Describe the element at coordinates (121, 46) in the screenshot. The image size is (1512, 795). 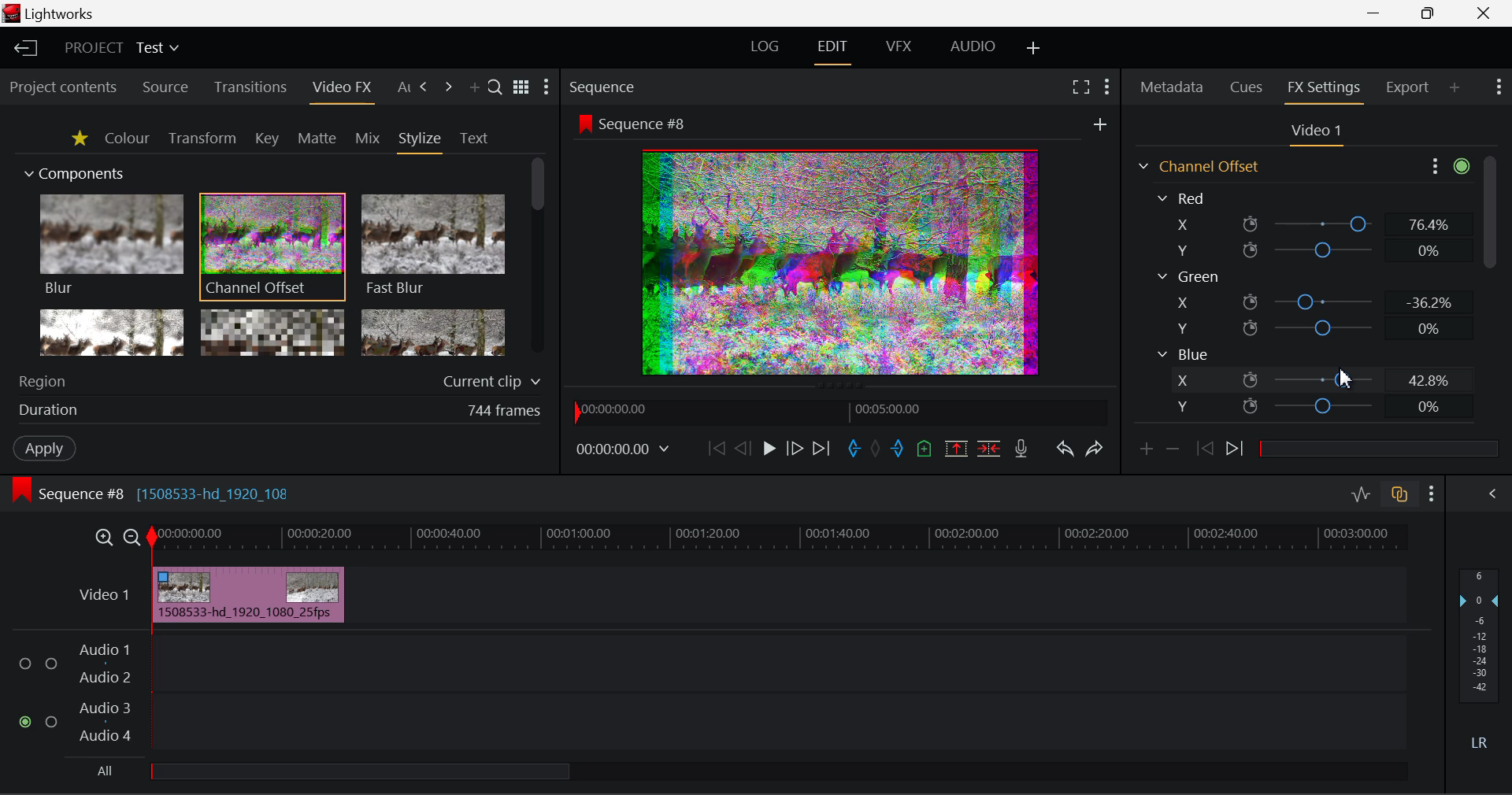
I see `Project Title` at that location.